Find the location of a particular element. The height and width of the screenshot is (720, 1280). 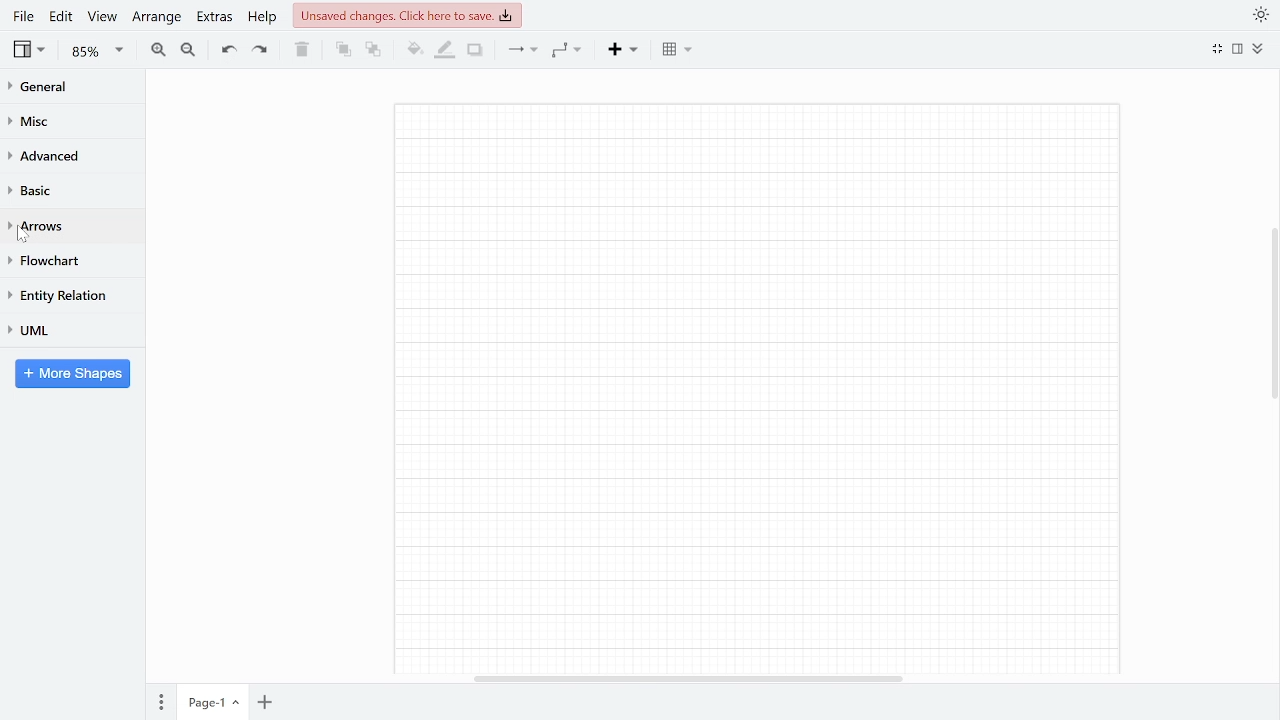

Appearence is located at coordinates (1257, 16).